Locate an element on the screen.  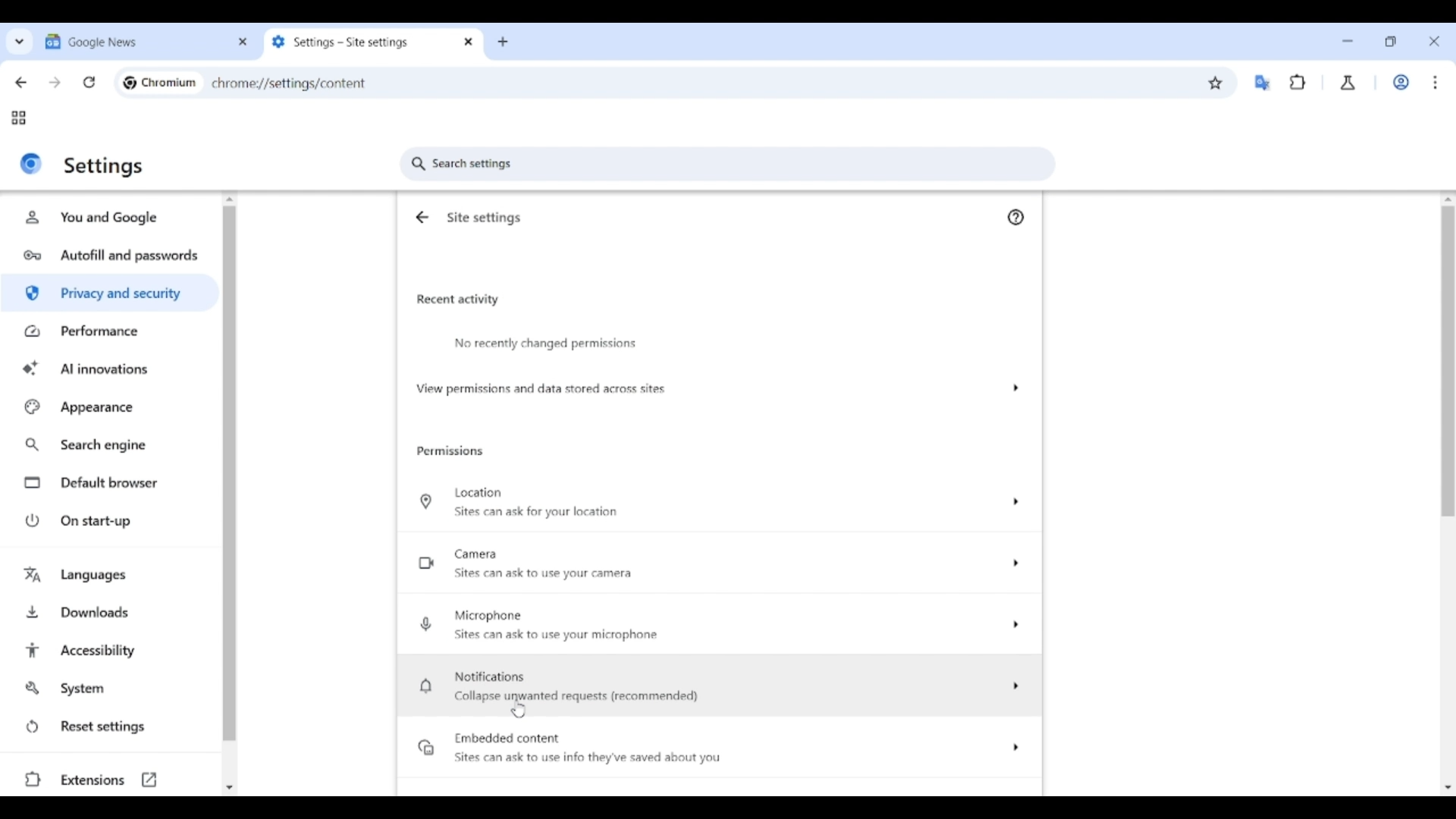
Camera options is located at coordinates (720, 565).